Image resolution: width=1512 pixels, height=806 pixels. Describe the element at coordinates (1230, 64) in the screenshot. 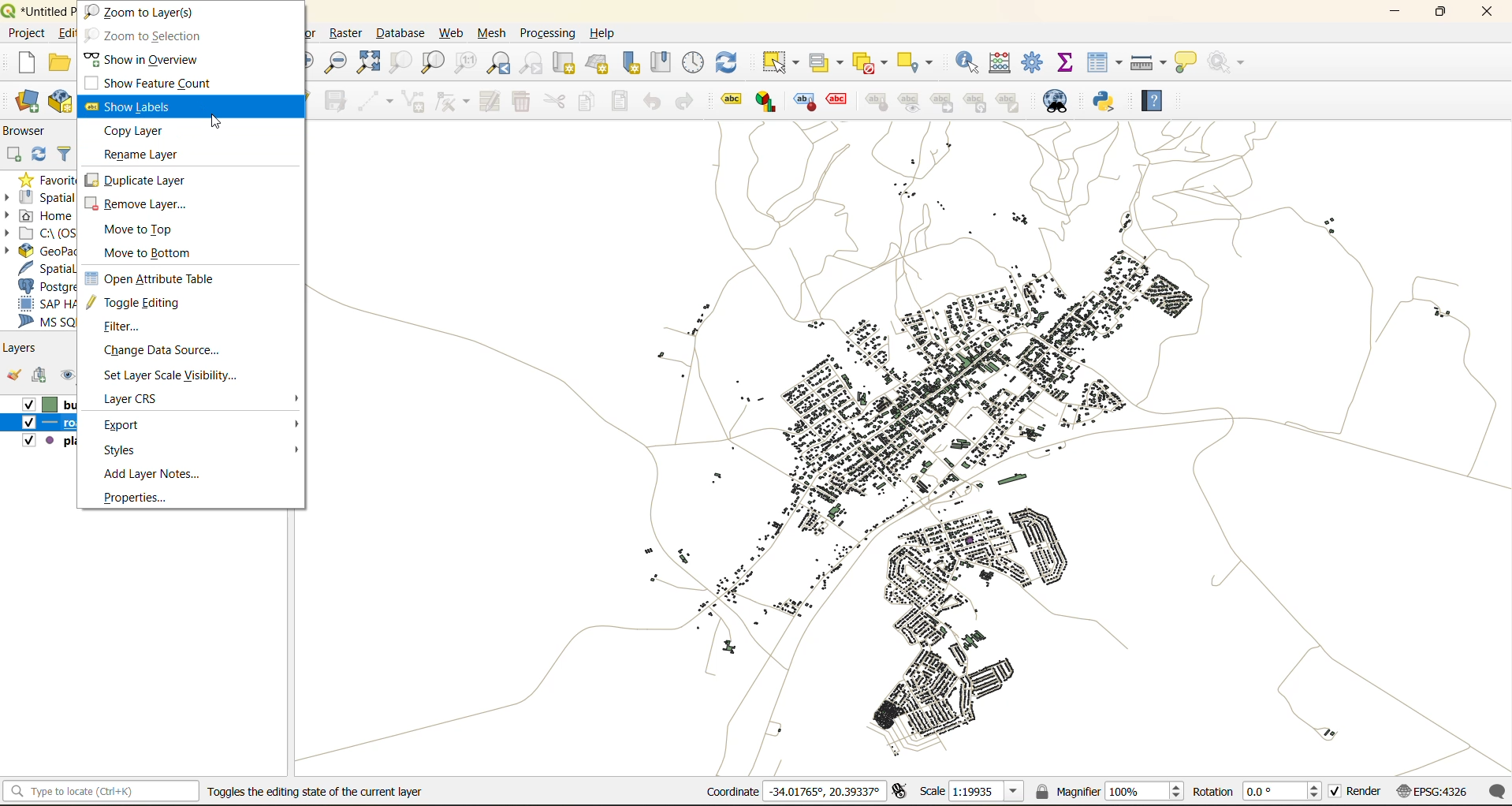

I see `no action` at that location.